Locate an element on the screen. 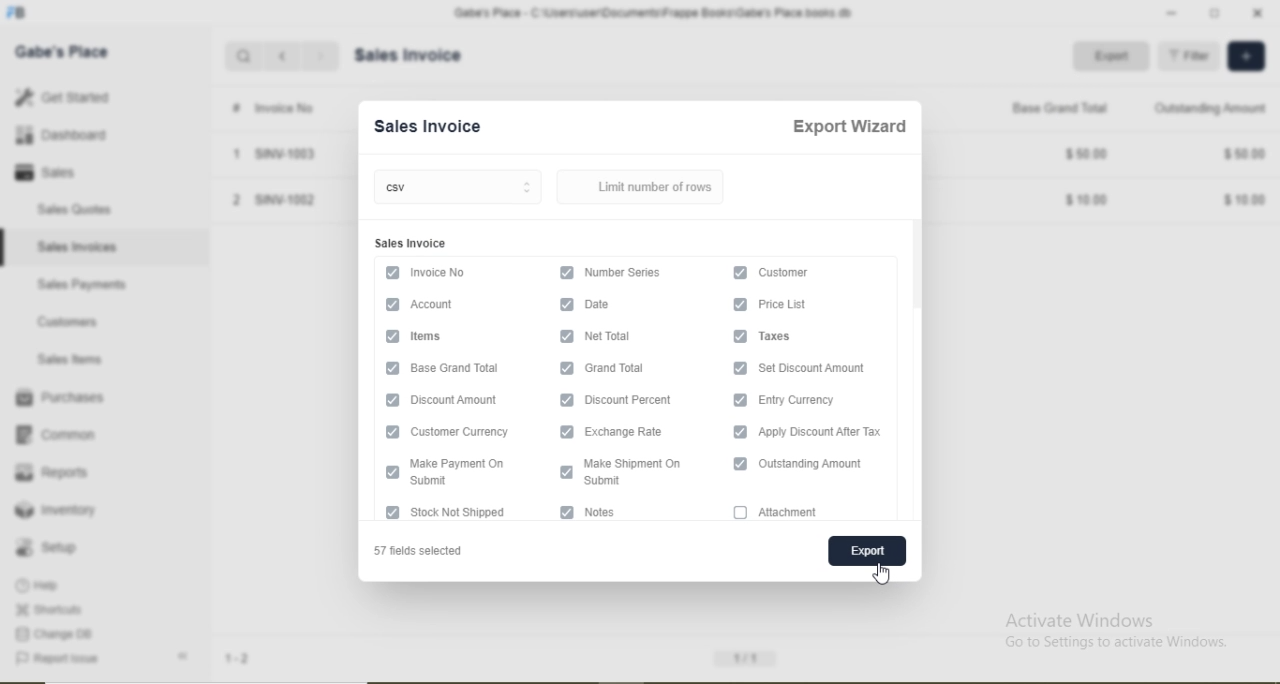  Sales Quotes is located at coordinates (86, 209).